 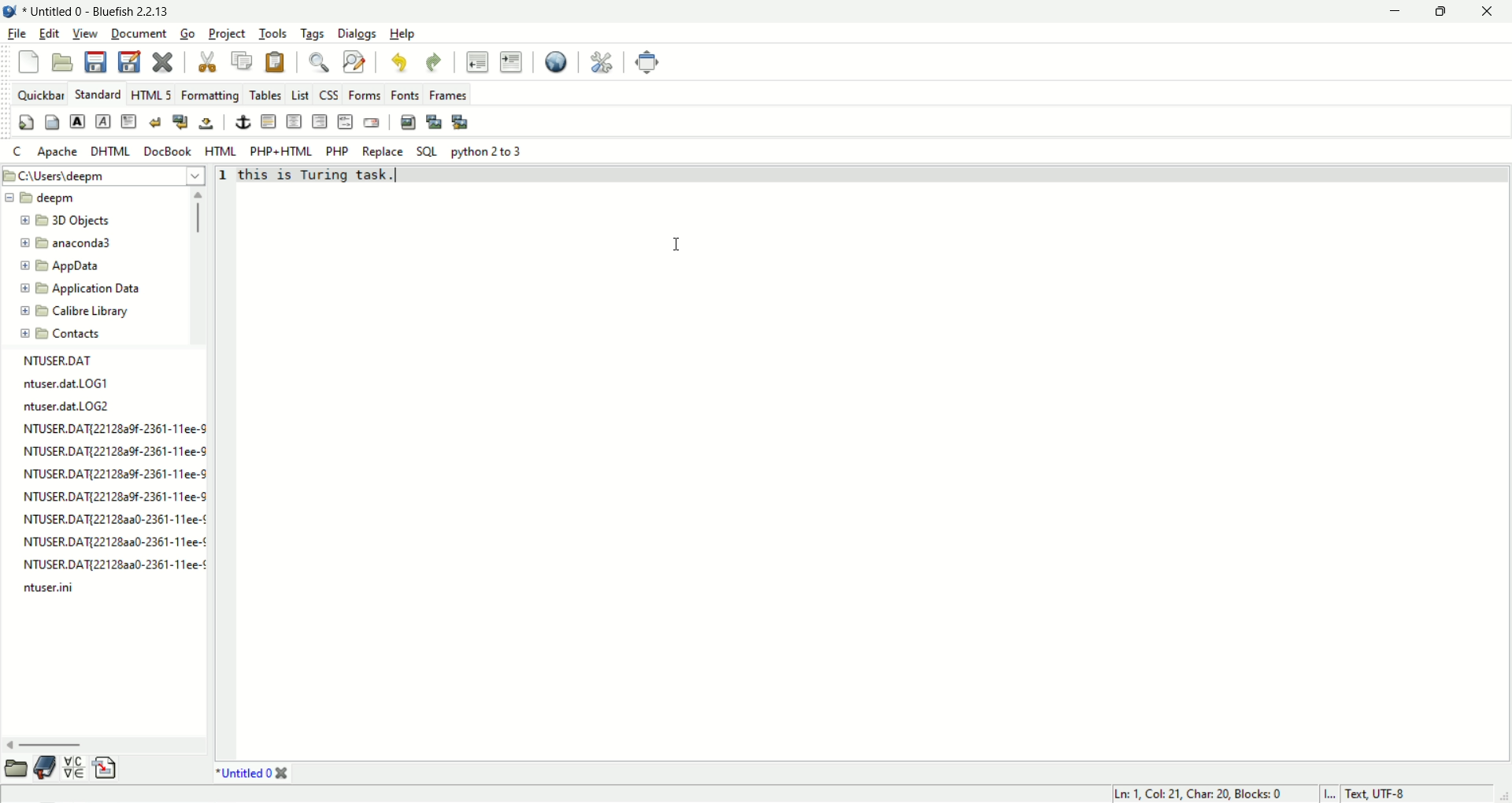 What do you see at coordinates (1444, 13) in the screenshot?
I see `maximize` at bounding box center [1444, 13].